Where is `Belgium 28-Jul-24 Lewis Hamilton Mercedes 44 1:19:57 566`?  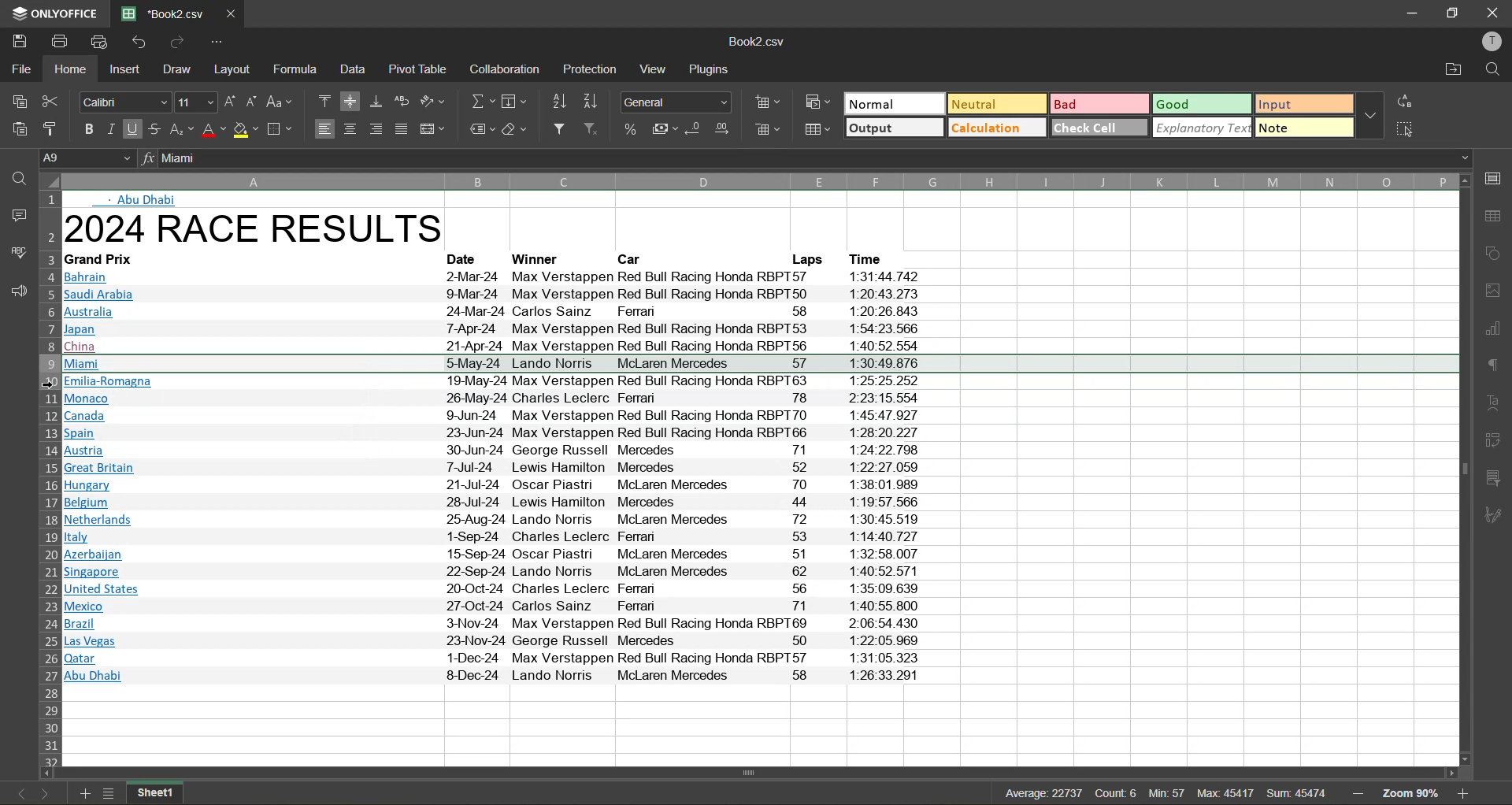 Belgium 28-Jul-24 Lewis Hamilton Mercedes 44 1:19:57 566 is located at coordinates (493, 503).